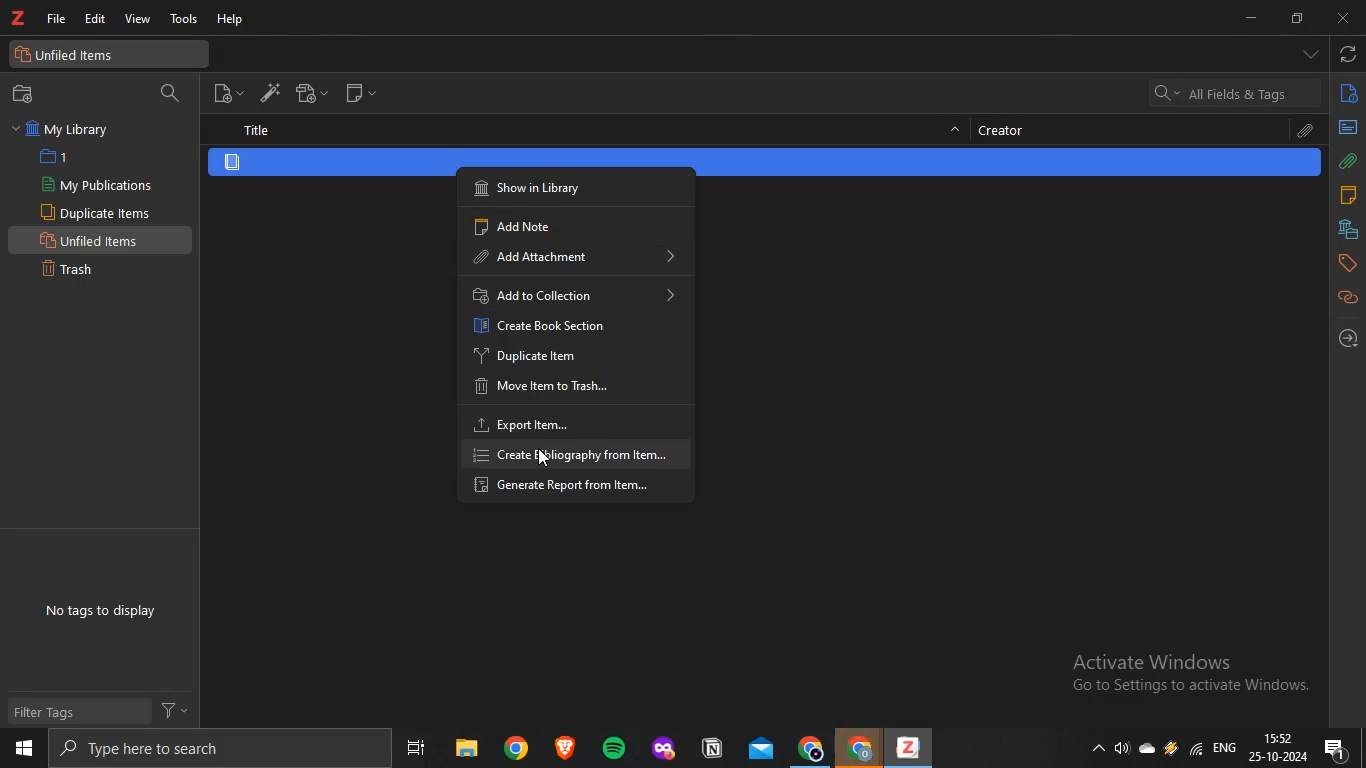 The height and width of the screenshot is (768, 1366). What do you see at coordinates (174, 705) in the screenshot?
I see `filter` at bounding box center [174, 705].